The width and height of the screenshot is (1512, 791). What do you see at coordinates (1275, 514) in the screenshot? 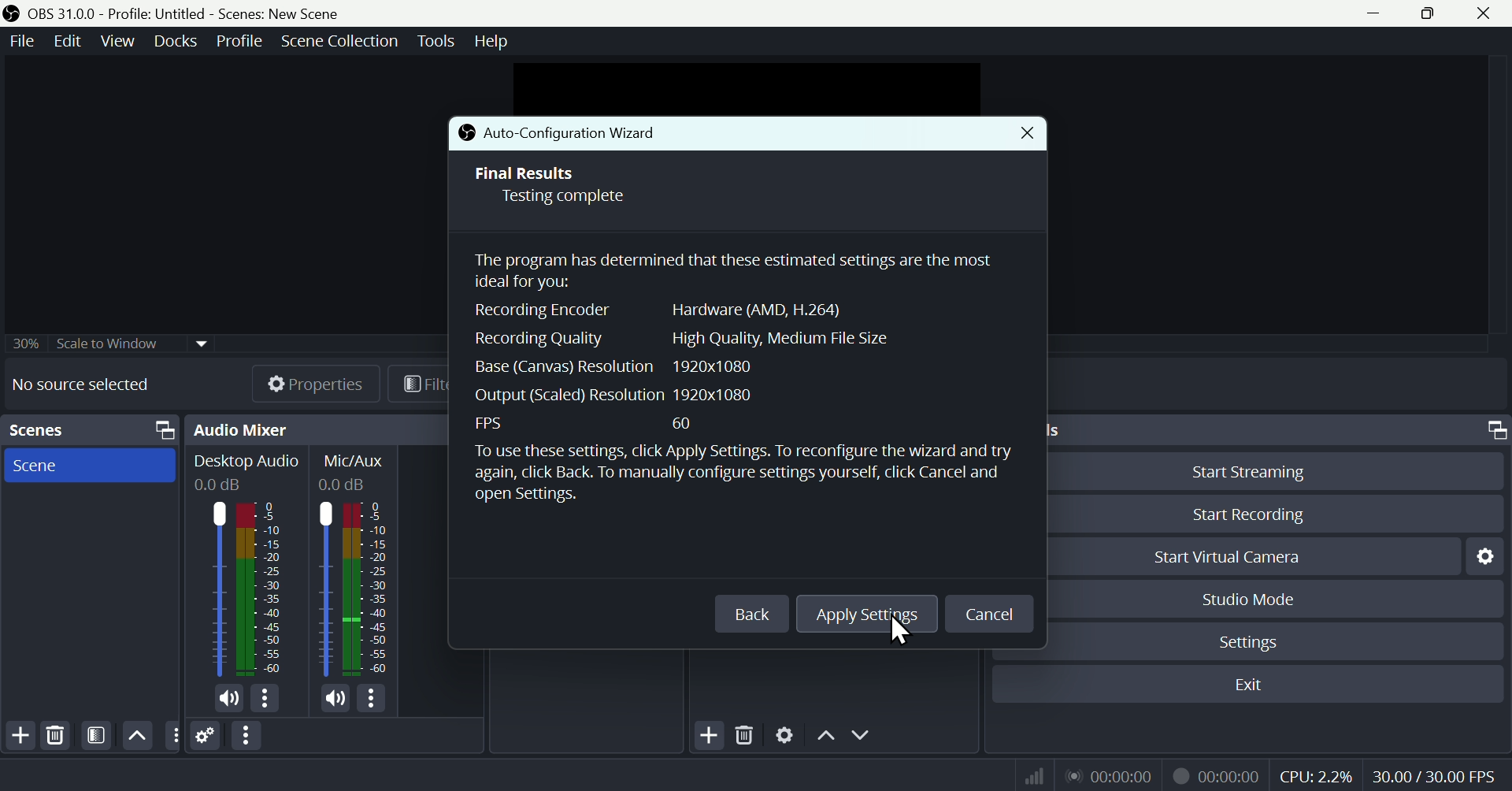
I see `Start Recording` at bounding box center [1275, 514].